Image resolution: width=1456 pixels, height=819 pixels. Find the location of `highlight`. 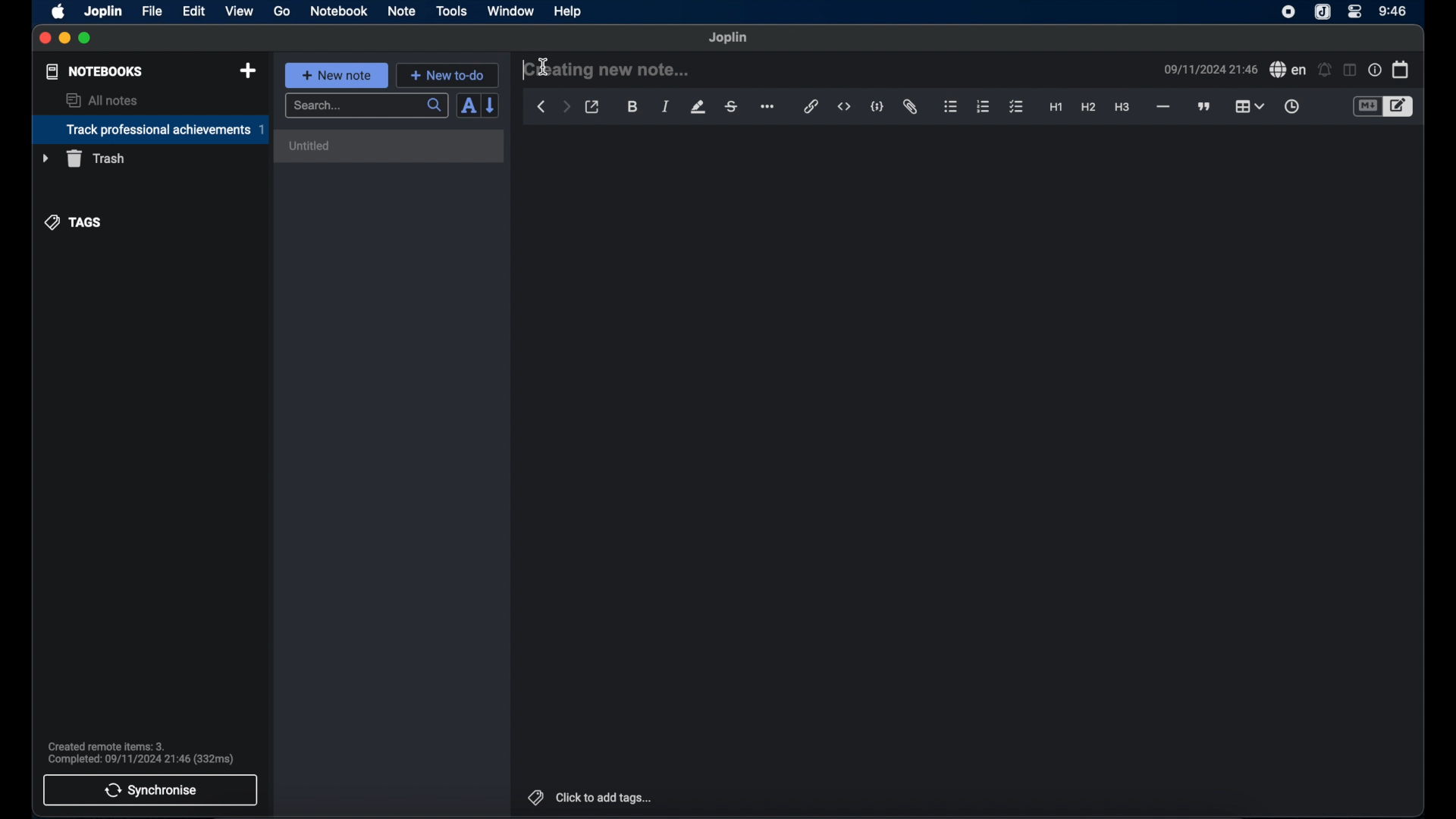

highlight is located at coordinates (698, 107).